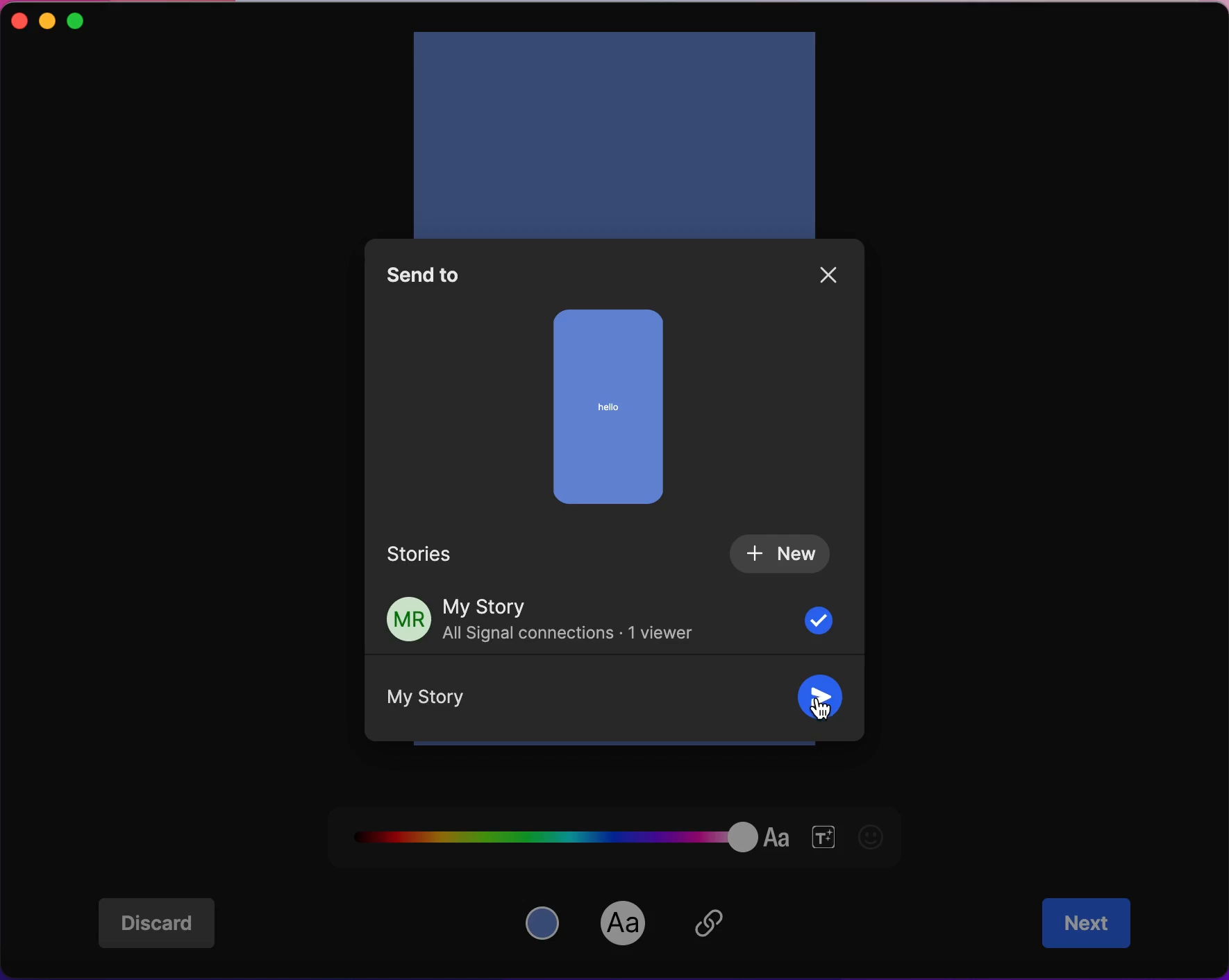  Describe the element at coordinates (822, 696) in the screenshot. I see `send` at that location.